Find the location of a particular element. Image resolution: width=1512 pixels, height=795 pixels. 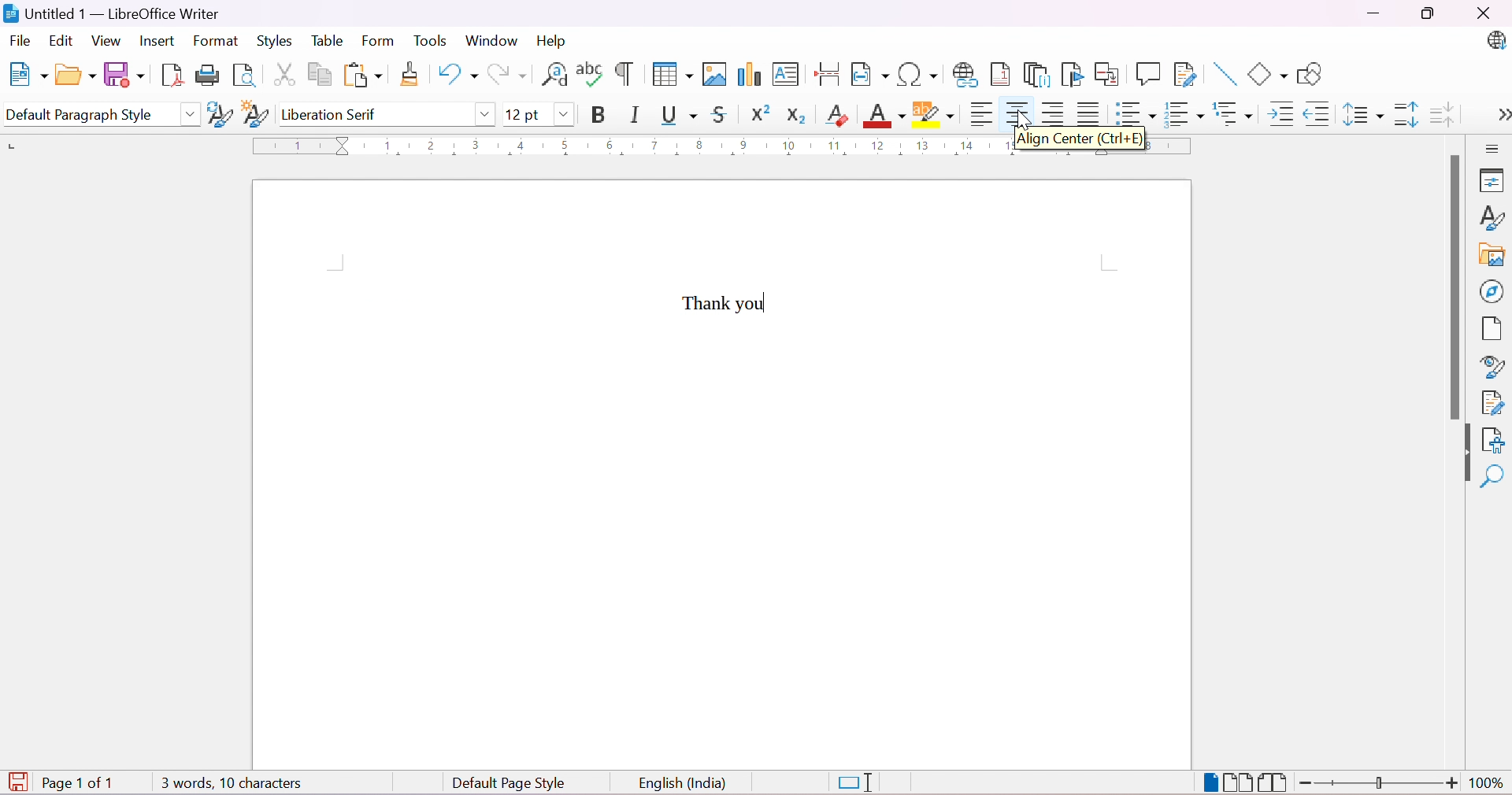

Font Color is located at coordinates (882, 115).